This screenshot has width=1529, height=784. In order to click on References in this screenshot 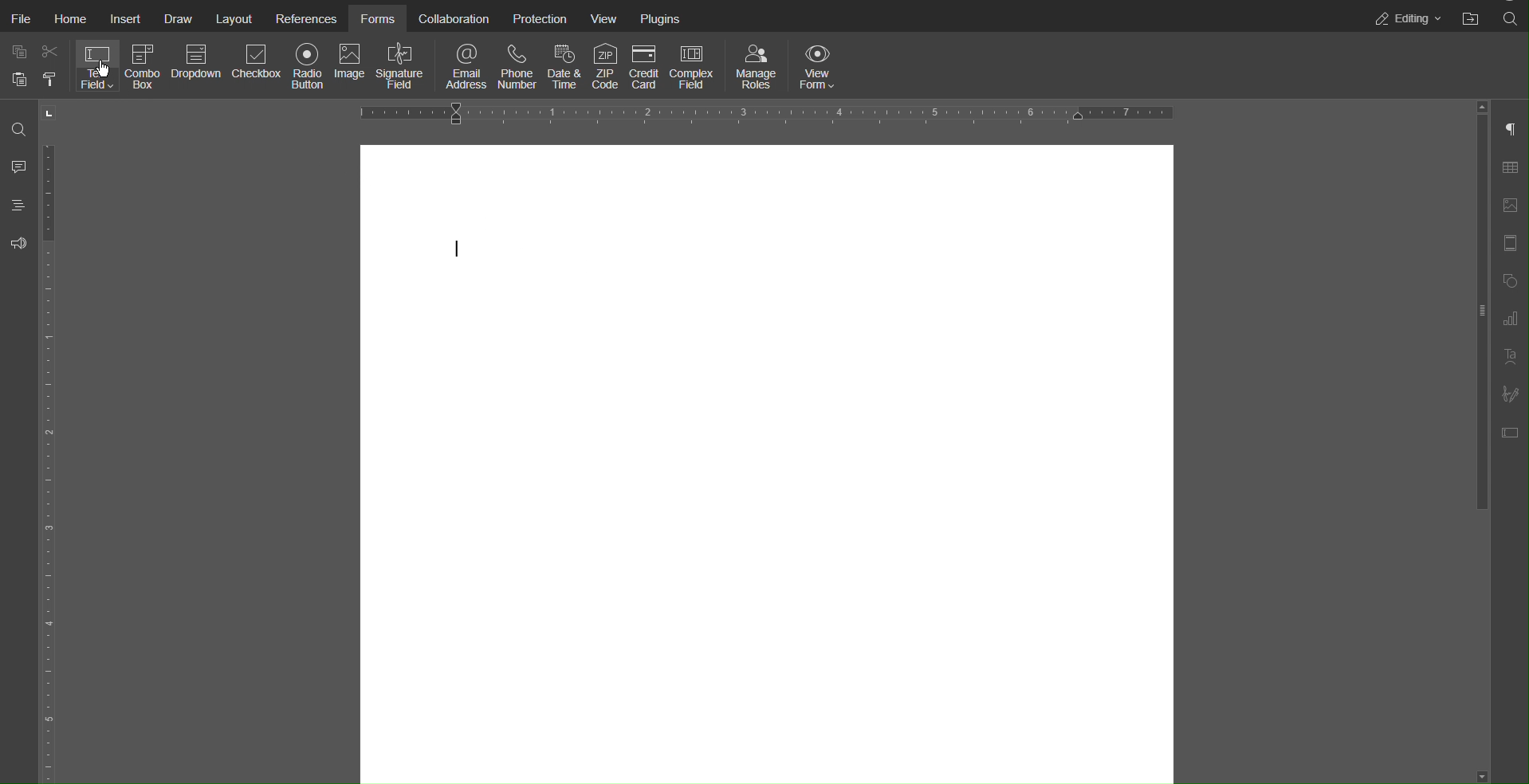, I will do `click(305, 20)`.